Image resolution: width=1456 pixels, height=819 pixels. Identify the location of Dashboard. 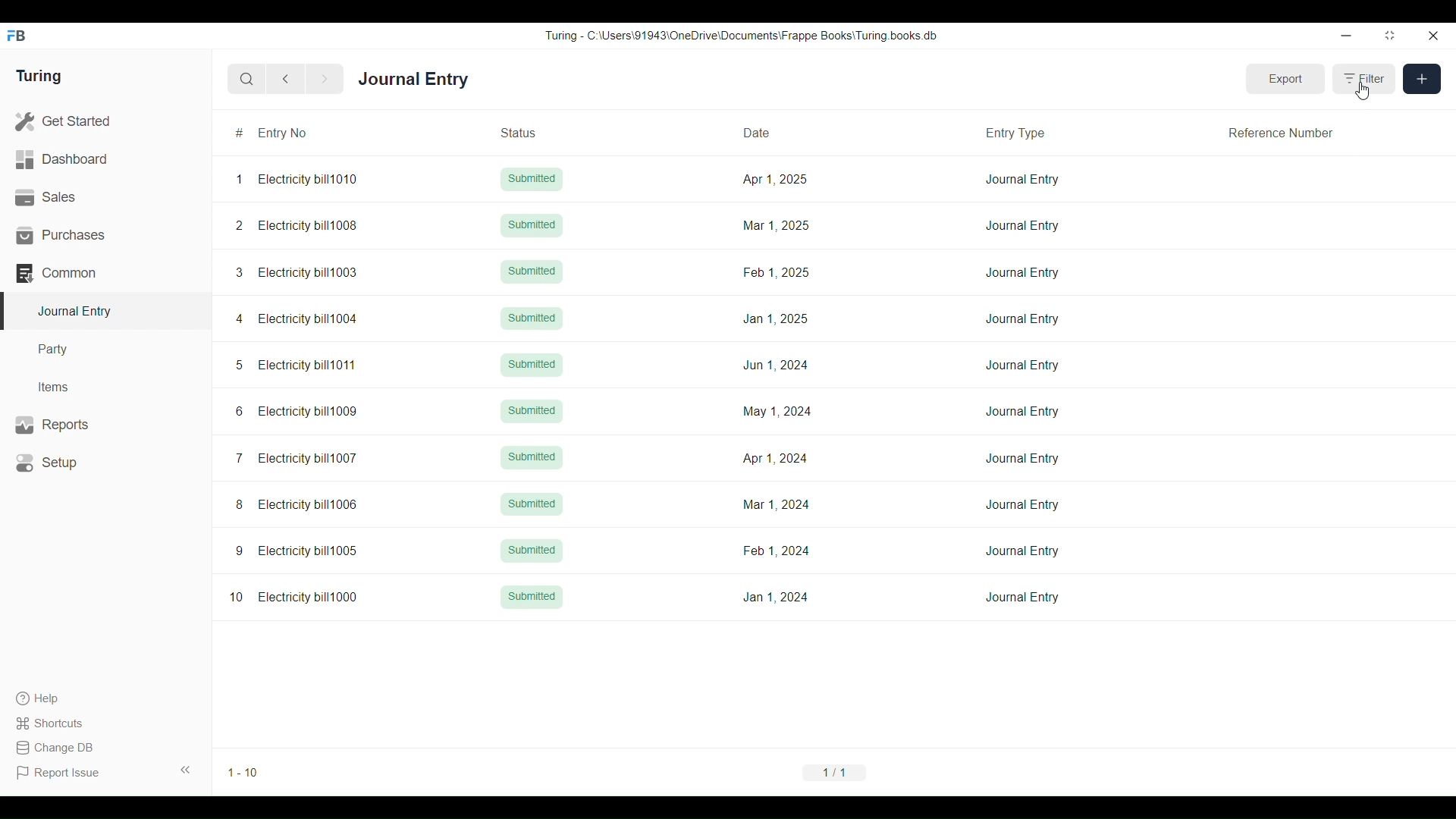
(105, 159).